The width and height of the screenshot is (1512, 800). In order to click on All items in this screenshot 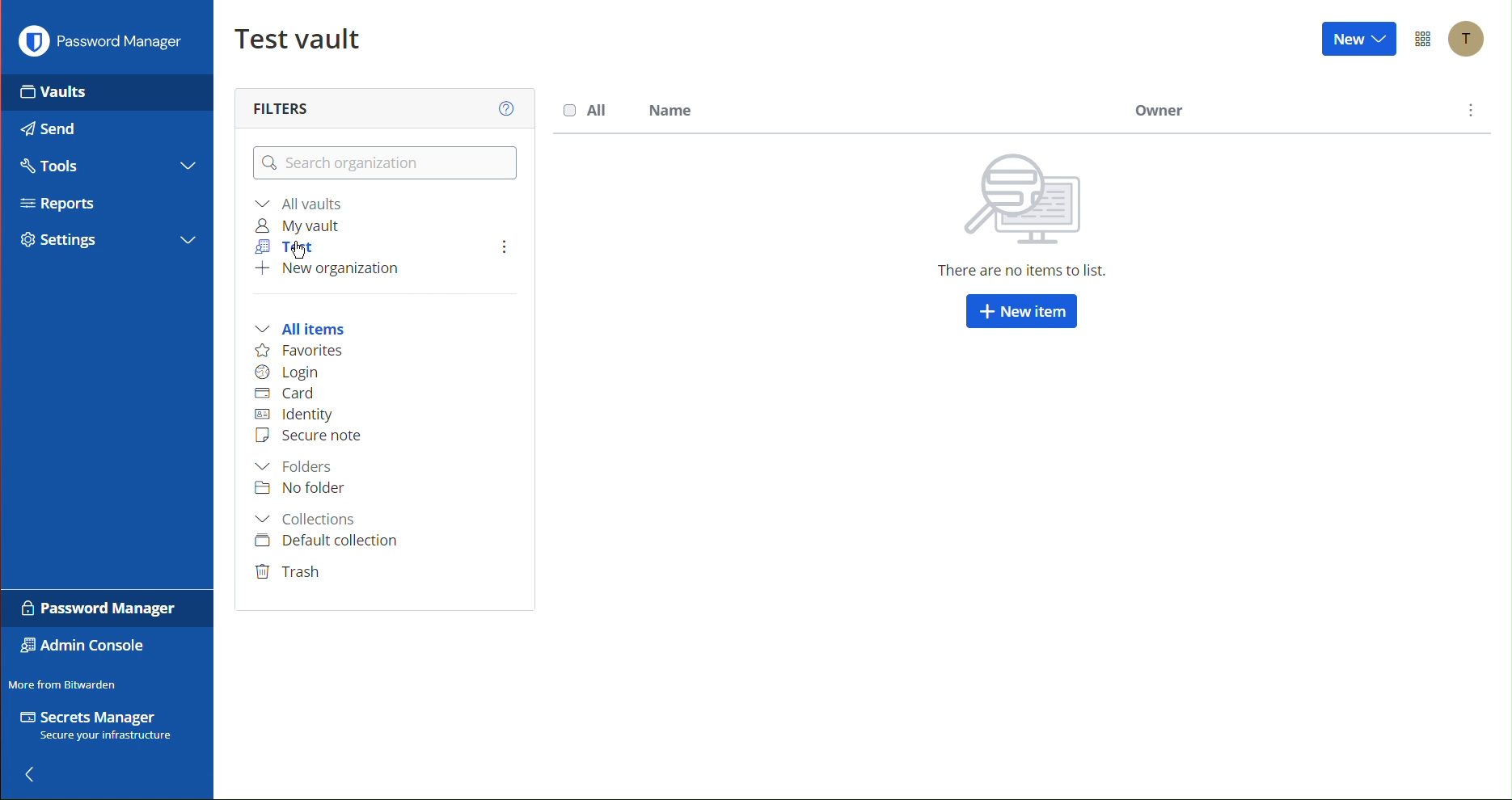, I will do `click(300, 330)`.